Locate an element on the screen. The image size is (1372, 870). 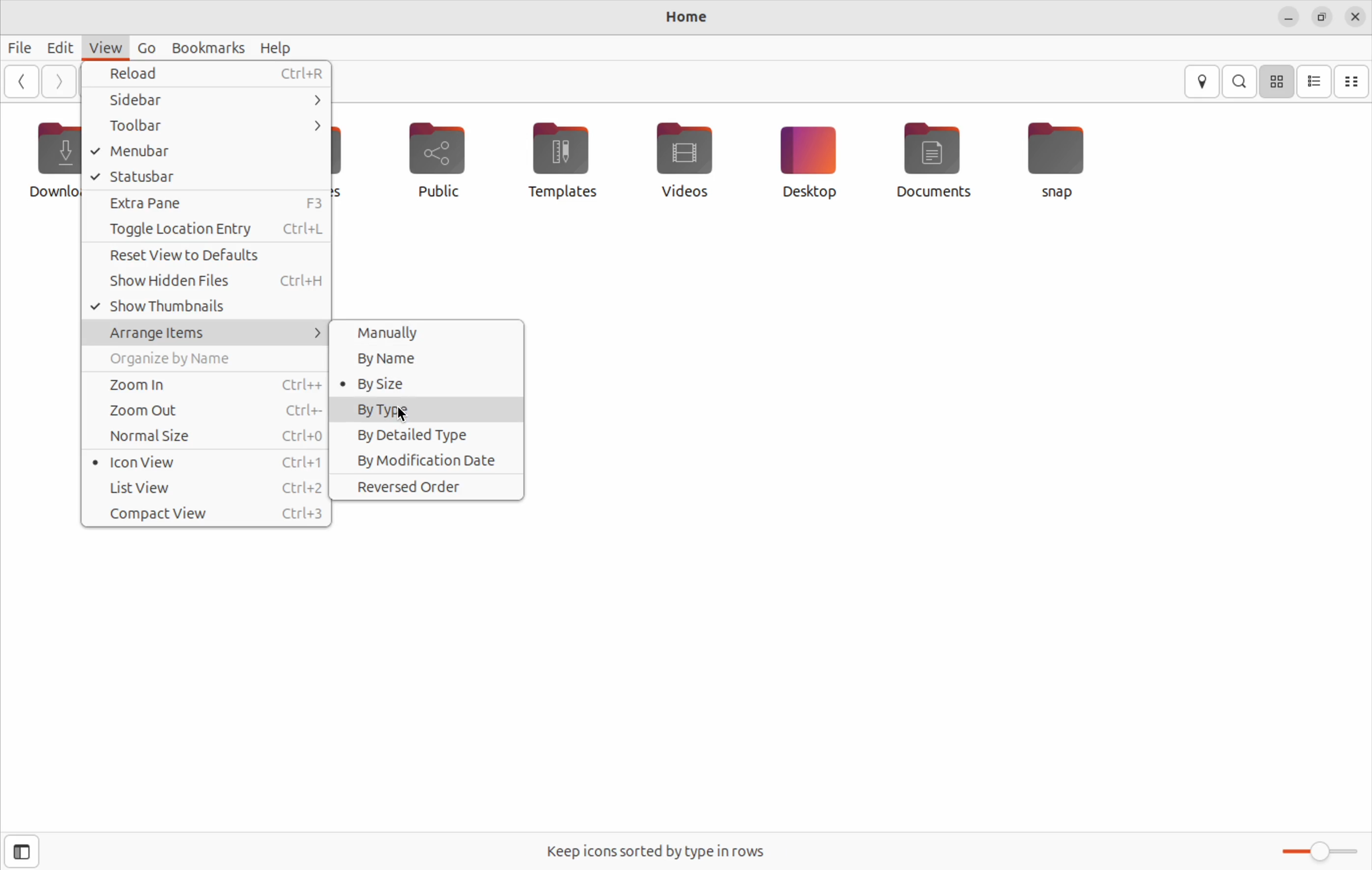
bookmarks is located at coordinates (208, 47).